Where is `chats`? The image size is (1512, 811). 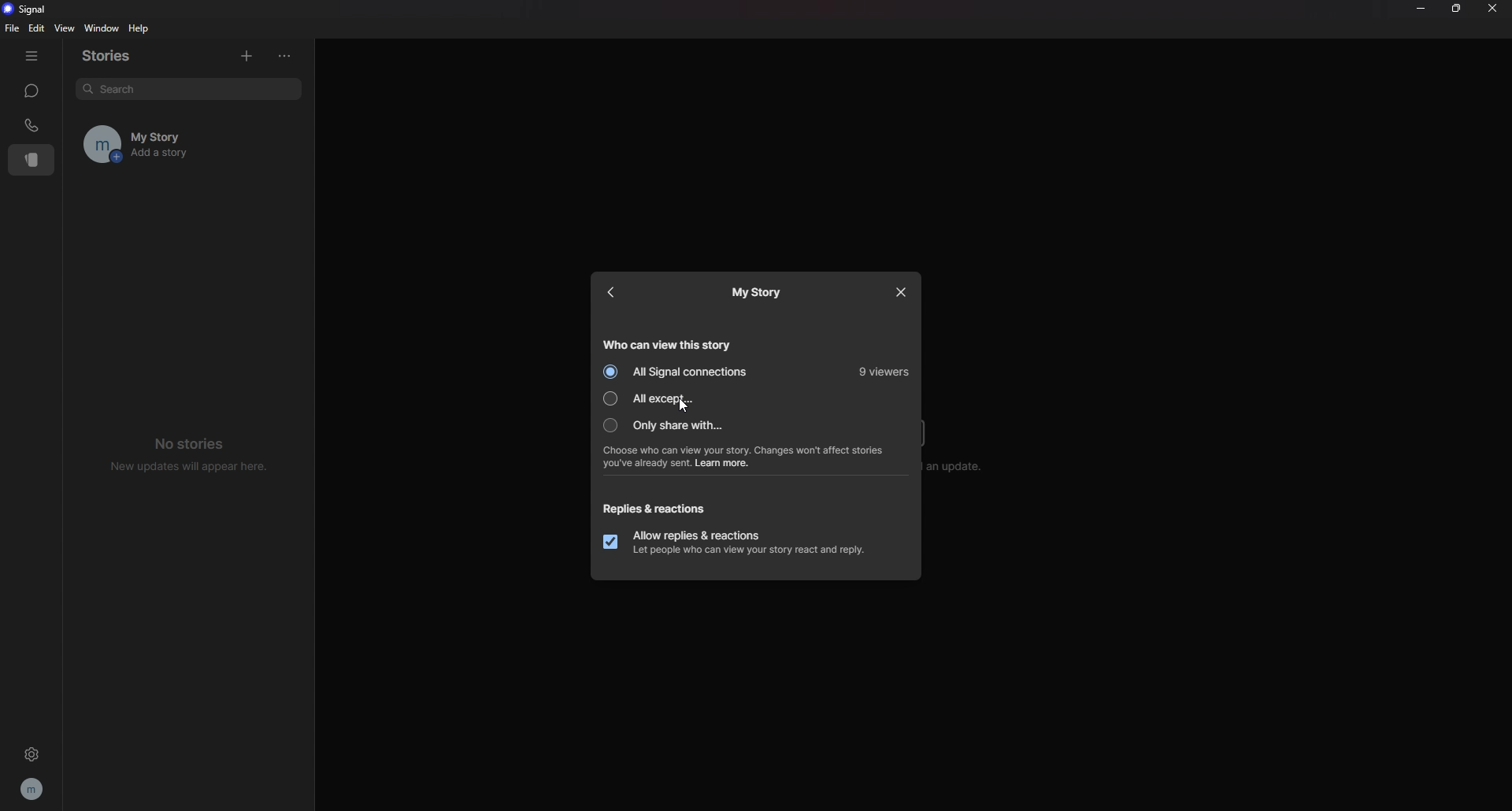 chats is located at coordinates (31, 91).